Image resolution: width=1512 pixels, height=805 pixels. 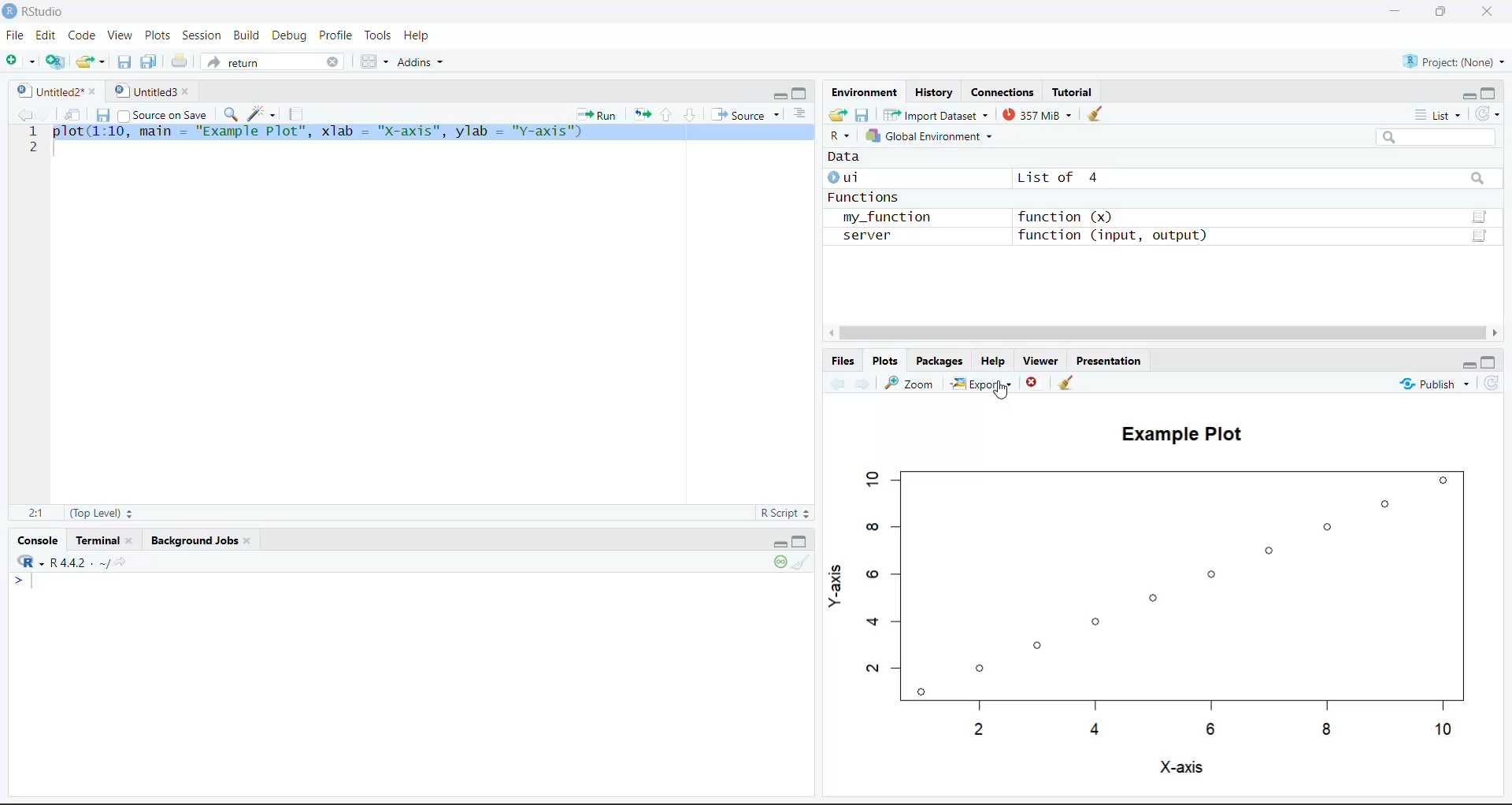 What do you see at coordinates (372, 61) in the screenshot?
I see `Workspace panes` at bounding box center [372, 61].